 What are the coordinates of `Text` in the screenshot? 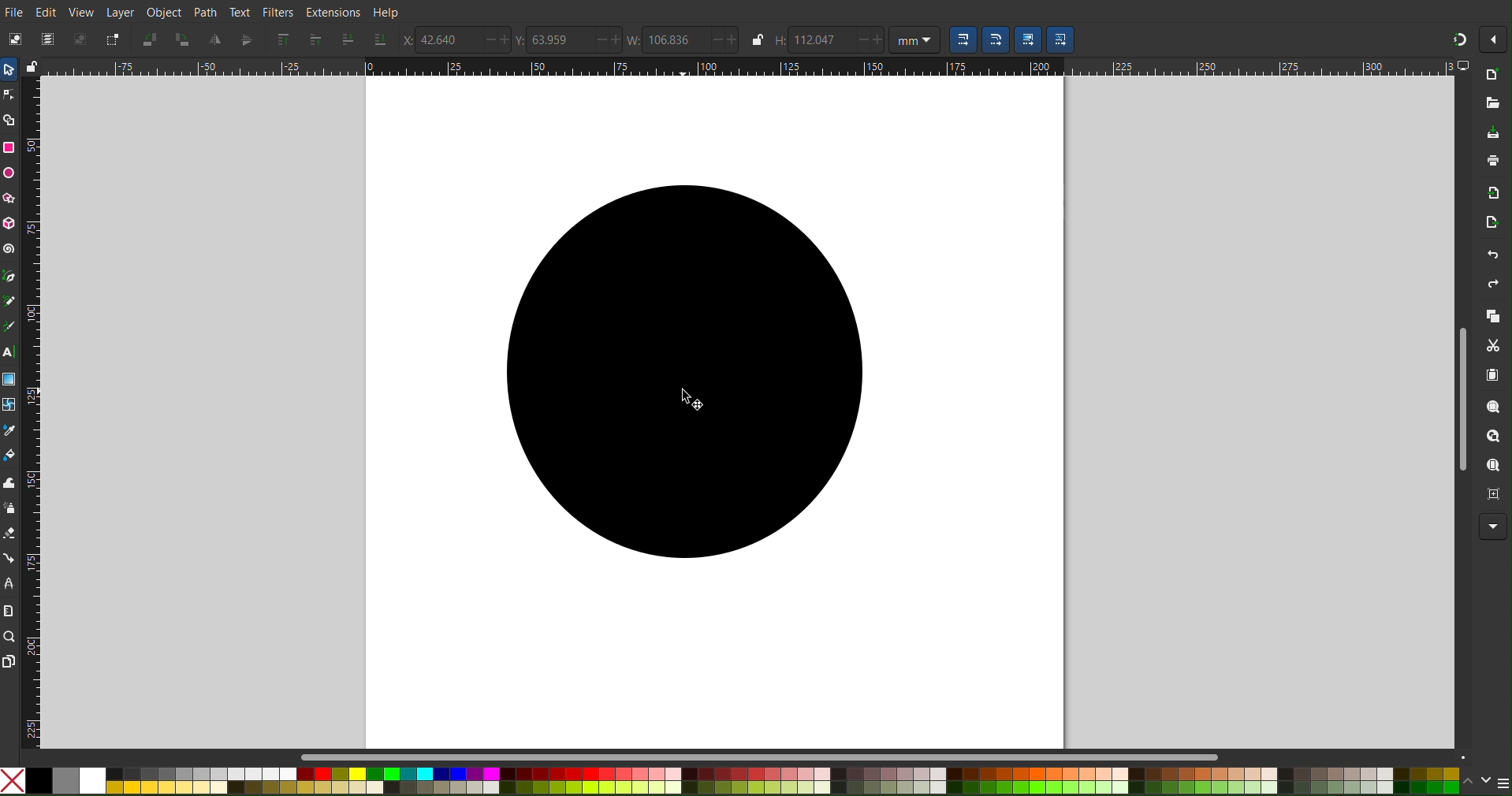 It's located at (241, 12).